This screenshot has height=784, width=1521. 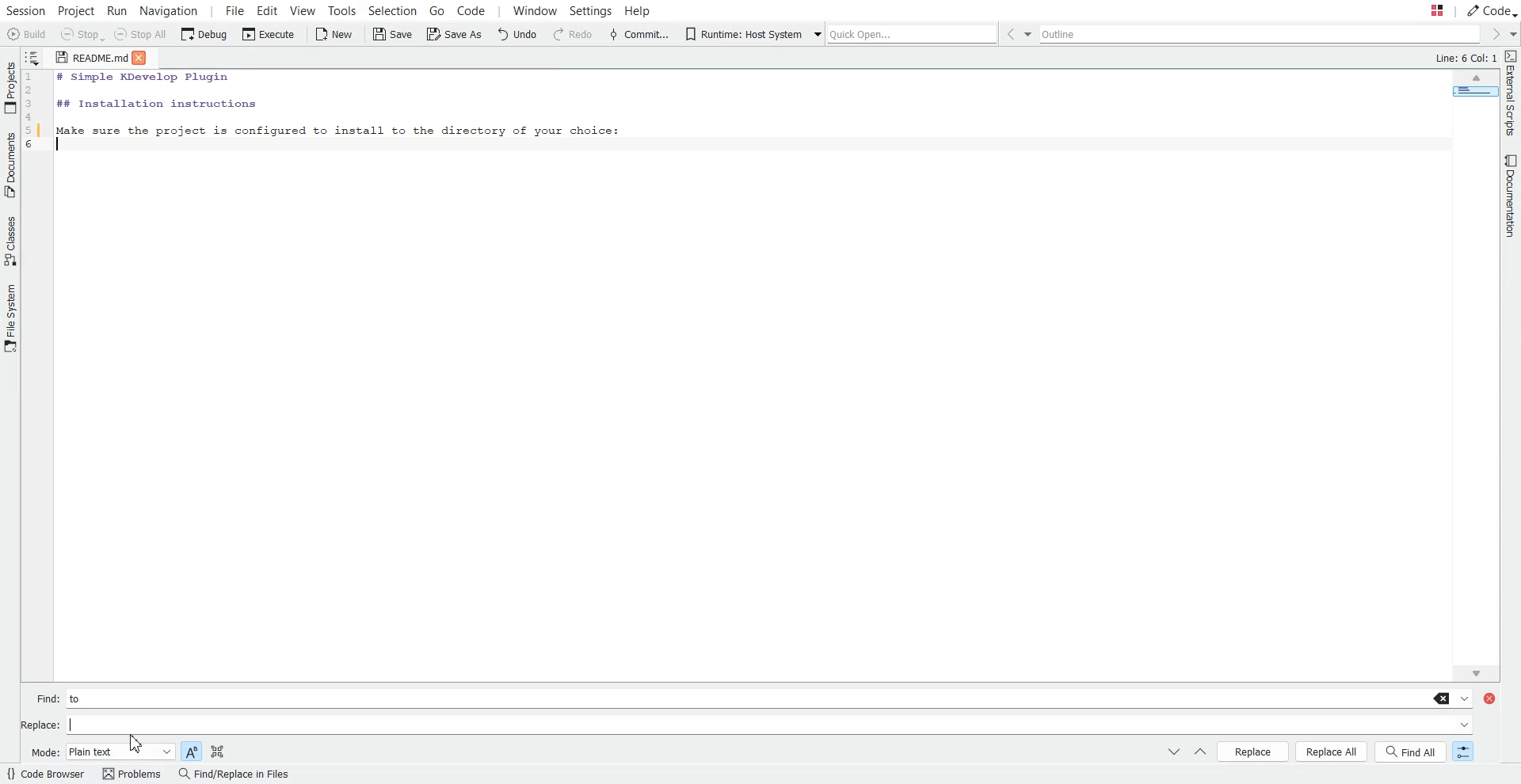 I want to click on Build, so click(x=27, y=34).